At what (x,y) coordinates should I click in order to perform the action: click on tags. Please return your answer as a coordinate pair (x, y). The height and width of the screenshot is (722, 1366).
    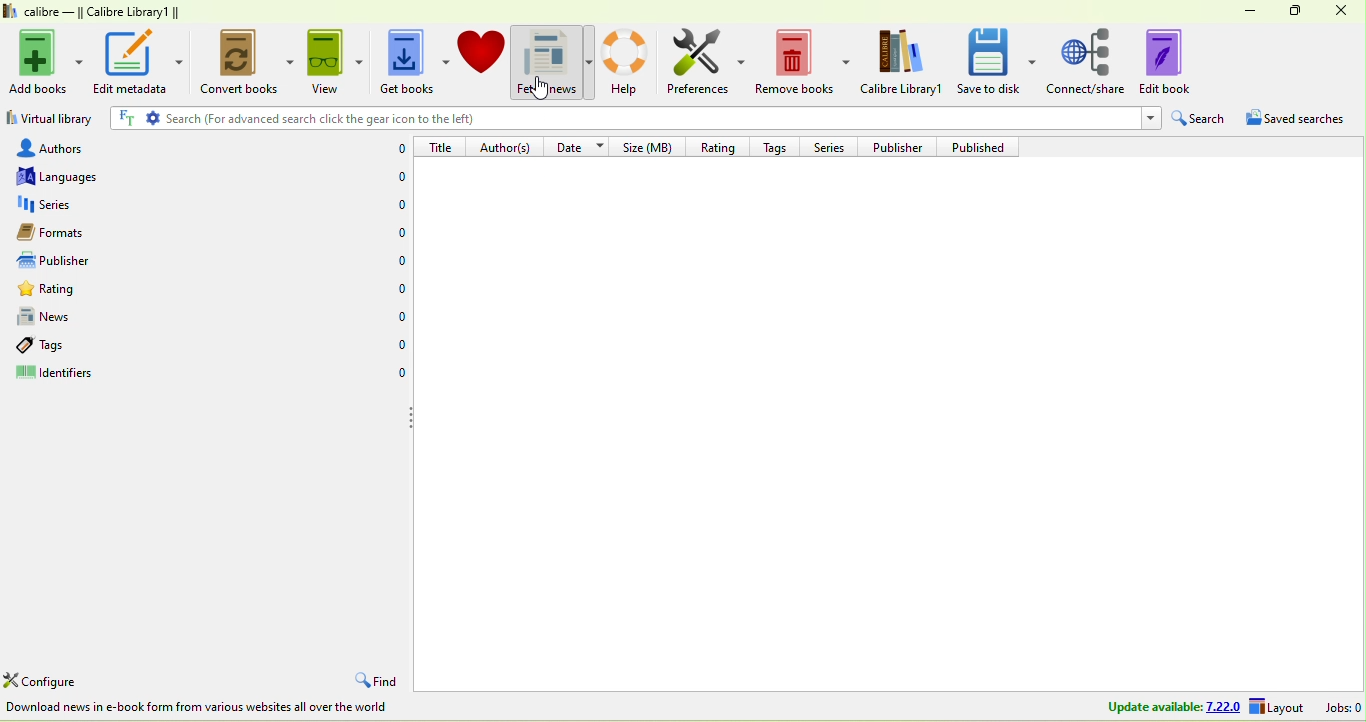
    Looking at the image, I should click on (150, 349).